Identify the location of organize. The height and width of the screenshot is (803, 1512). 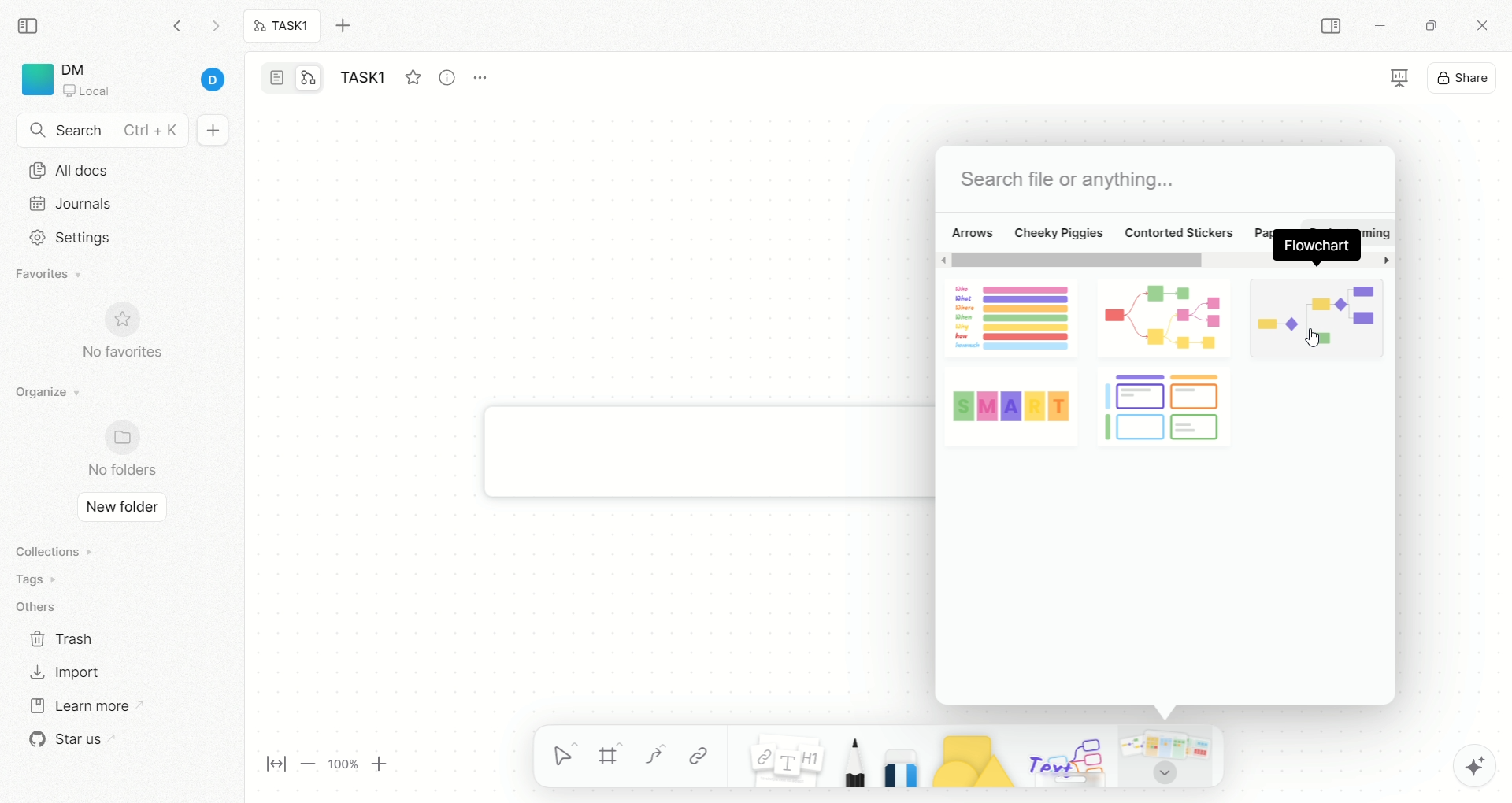
(43, 393).